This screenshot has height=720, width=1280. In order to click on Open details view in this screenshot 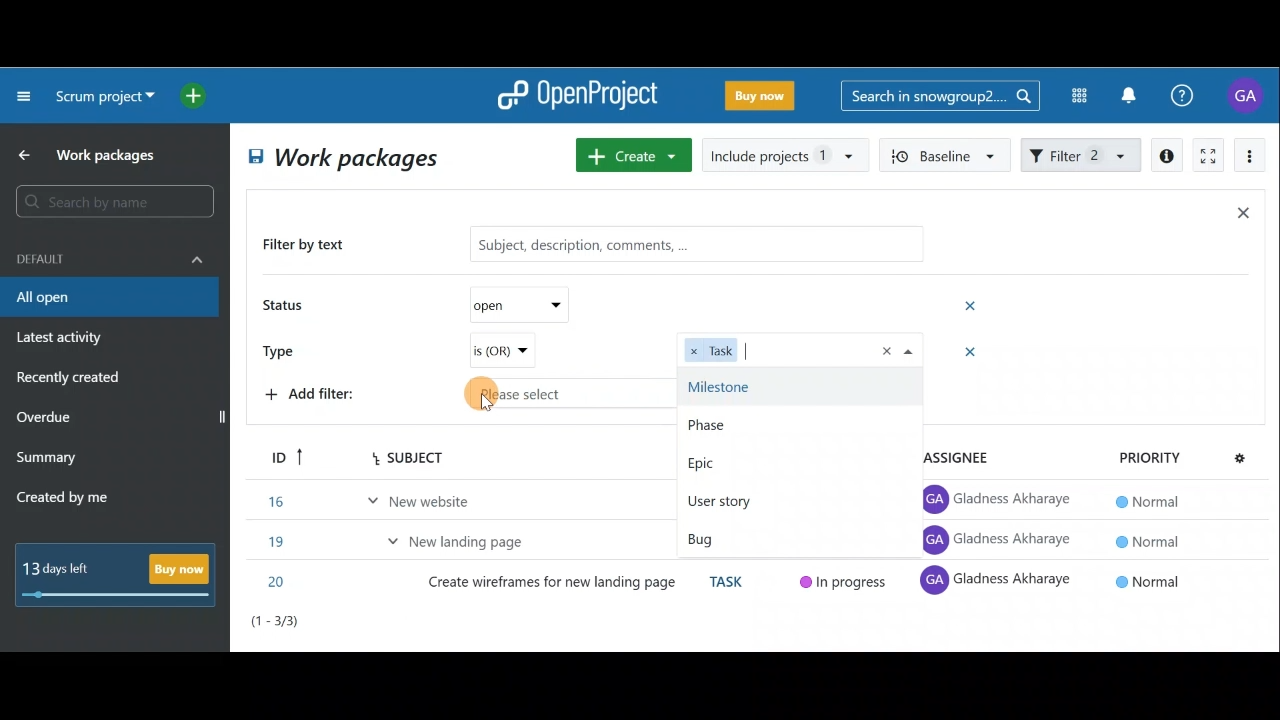, I will do `click(1168, 156)`.